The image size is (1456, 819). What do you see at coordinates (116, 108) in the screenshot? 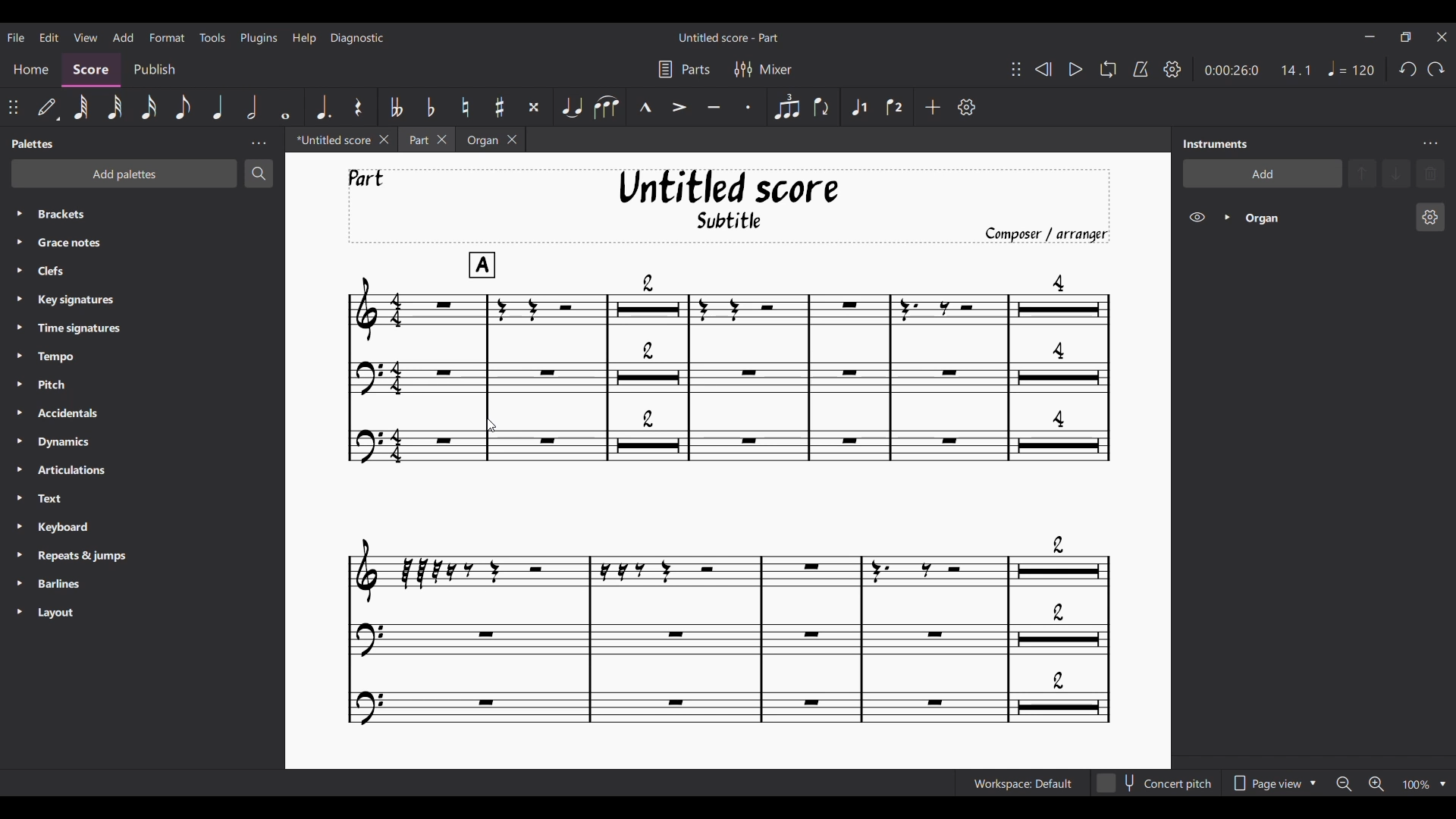
I see `32nd note` at bounding box center [116, 108].